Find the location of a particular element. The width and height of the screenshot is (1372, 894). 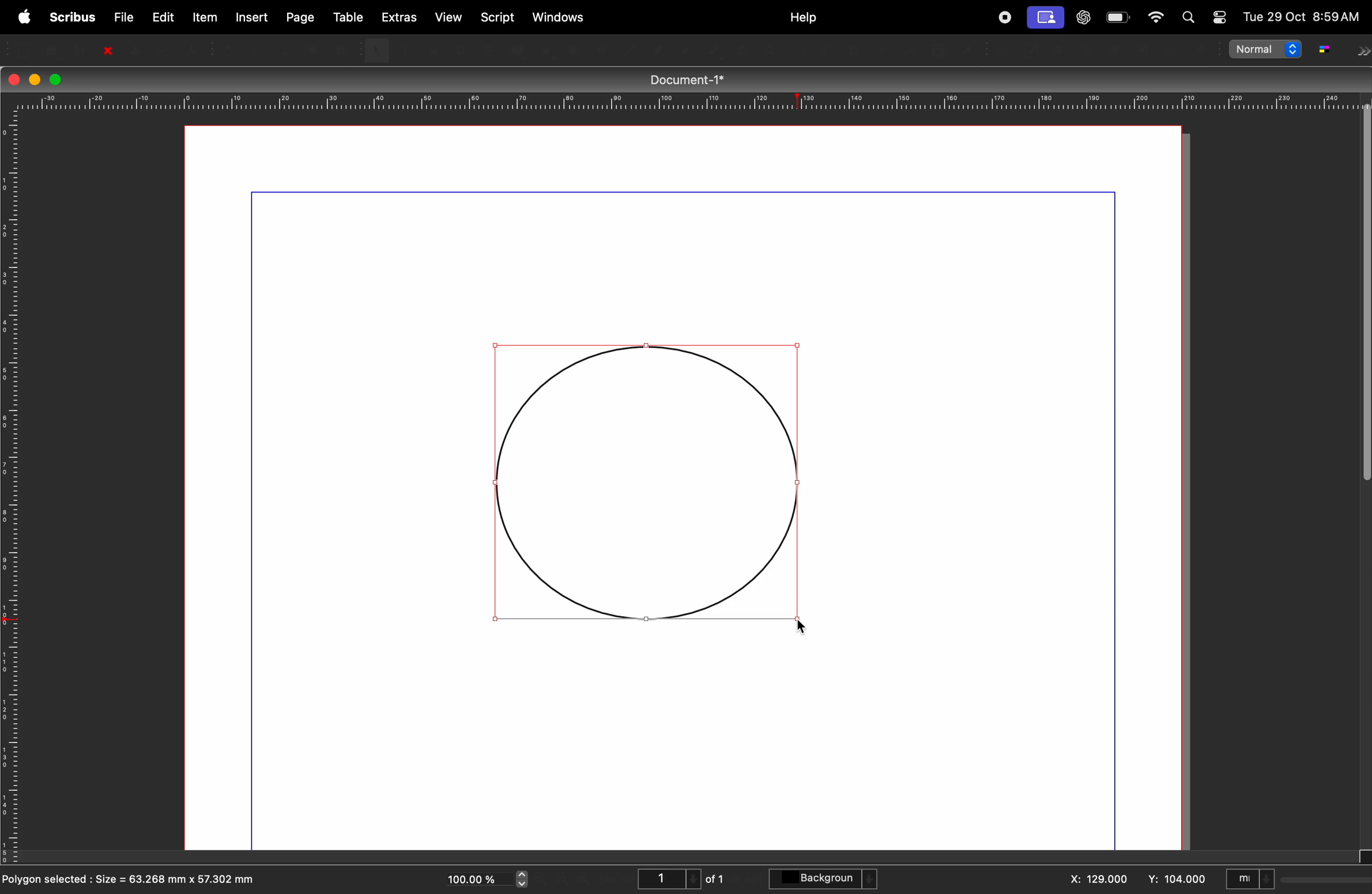

Cut is located at coordinates (285, 48).